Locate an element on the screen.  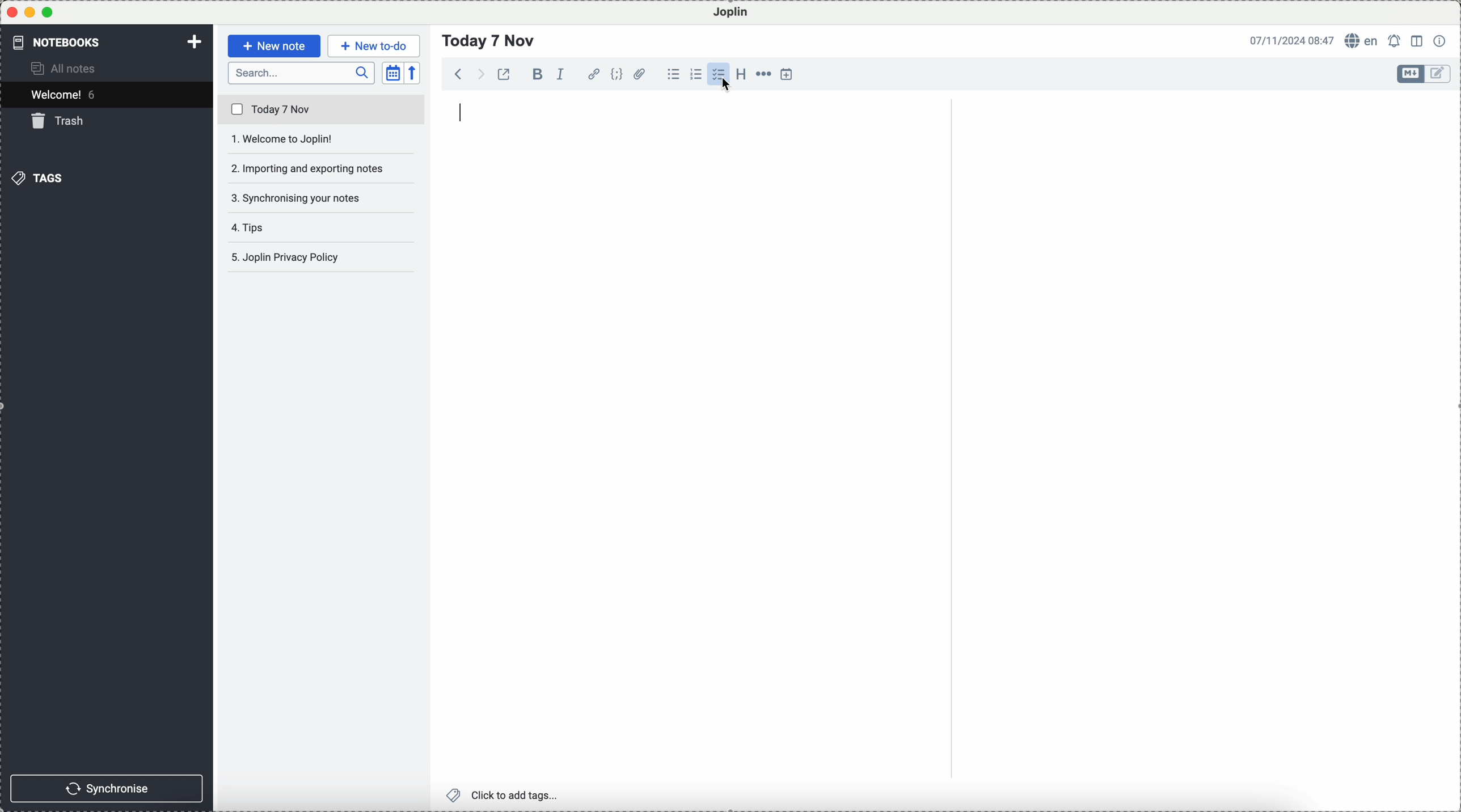
importing and exporting notes is located at coordinates (323, 168).